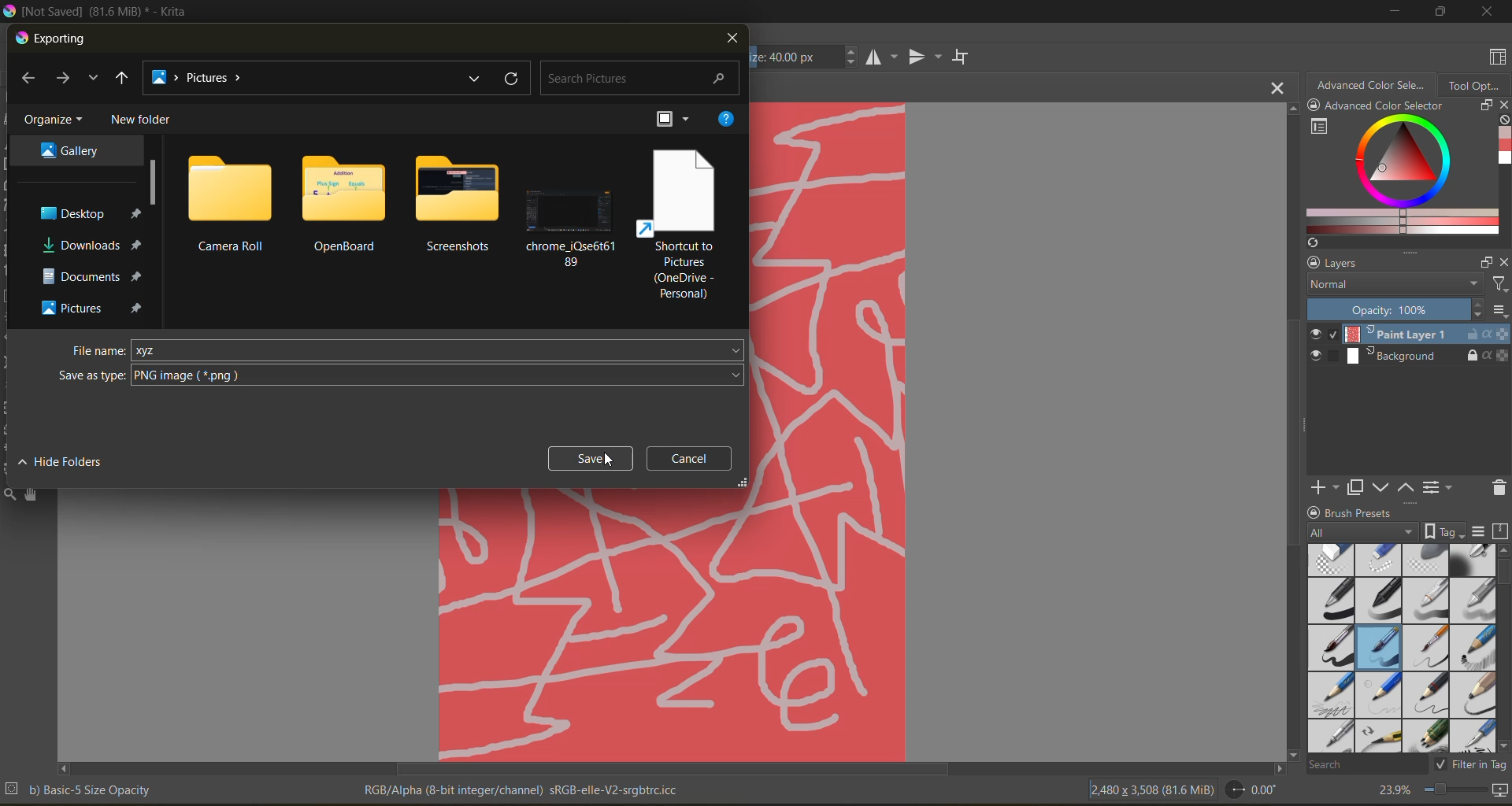  What do you see at coordinates (513, 79) in the screenshot?
I see `refresh` at bounding box center [513, 79].